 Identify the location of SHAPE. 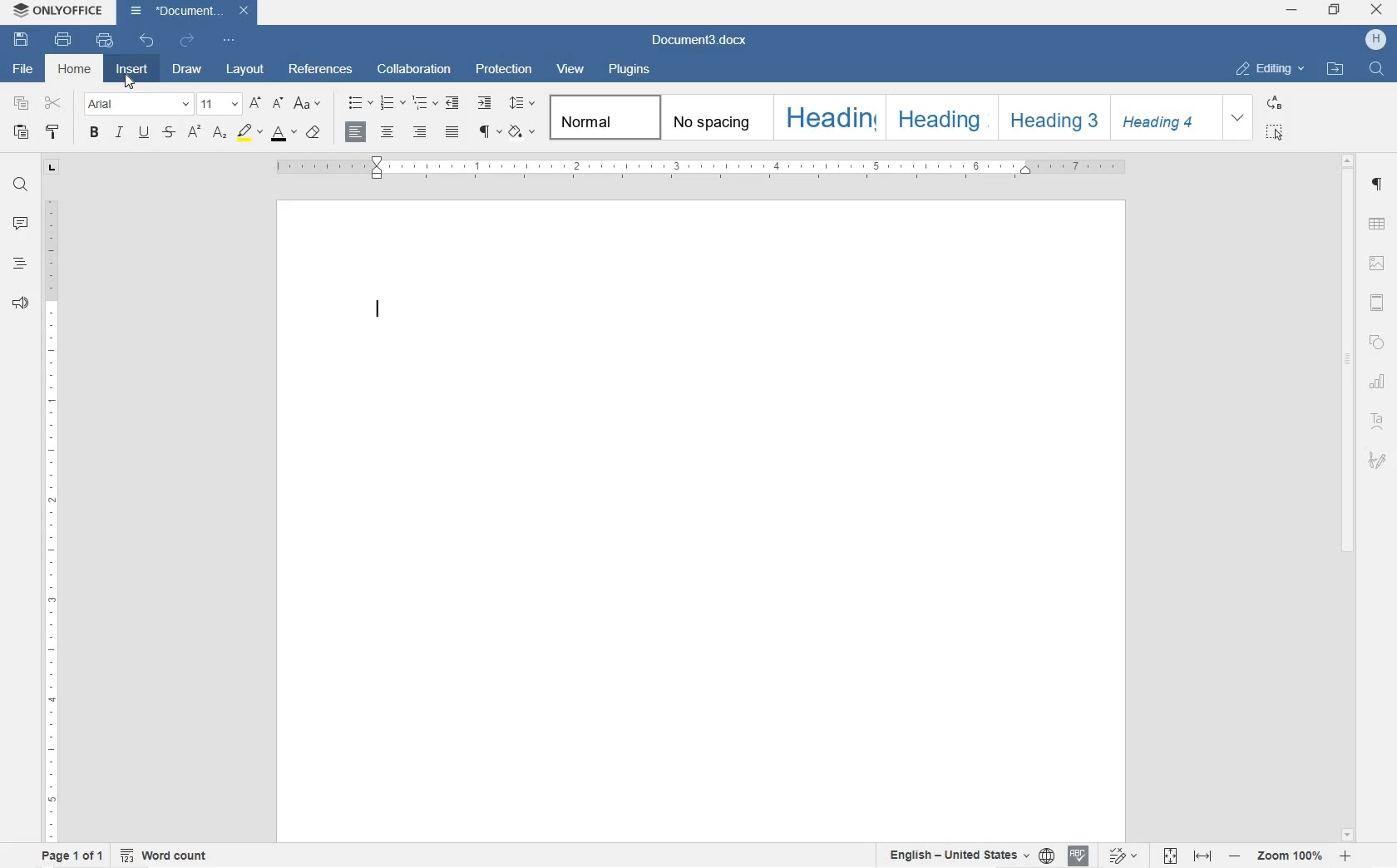
(1375, 345).